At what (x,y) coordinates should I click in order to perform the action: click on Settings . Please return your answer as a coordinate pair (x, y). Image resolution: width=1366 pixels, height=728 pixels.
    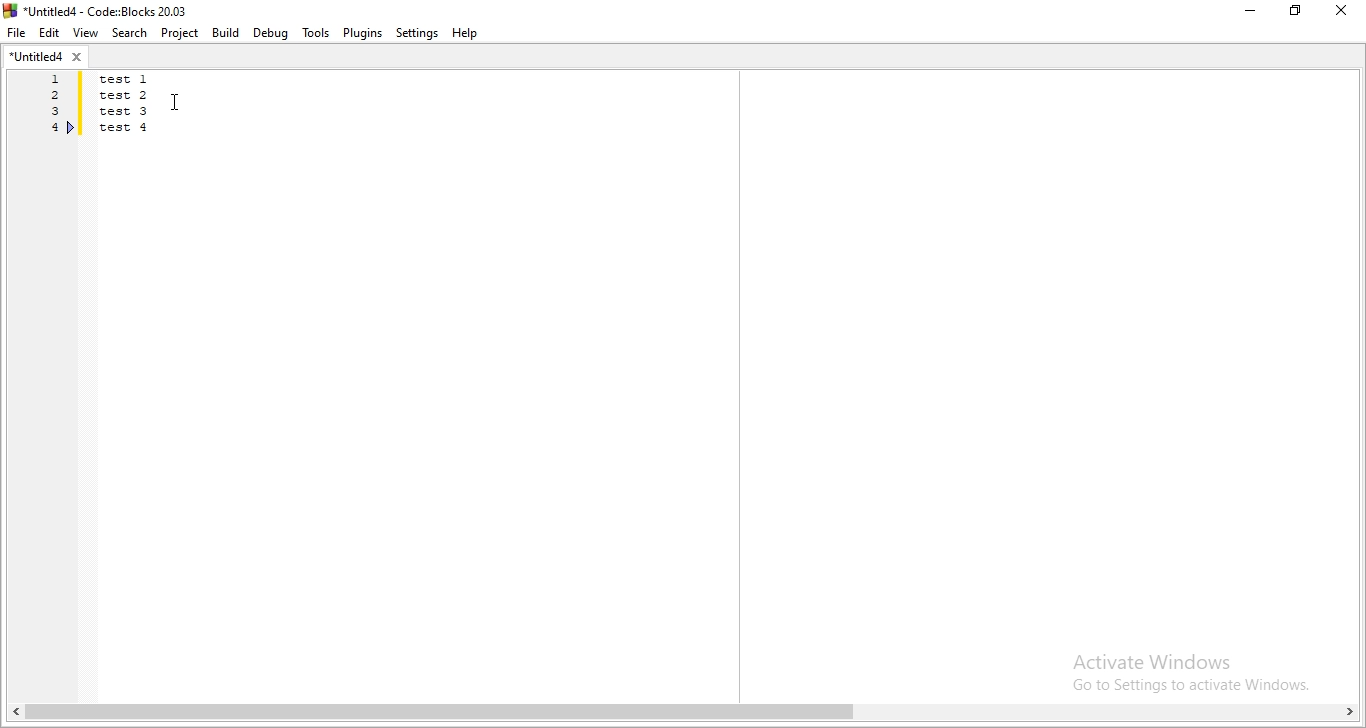
    Looking at the image, I should click on (415, 34).